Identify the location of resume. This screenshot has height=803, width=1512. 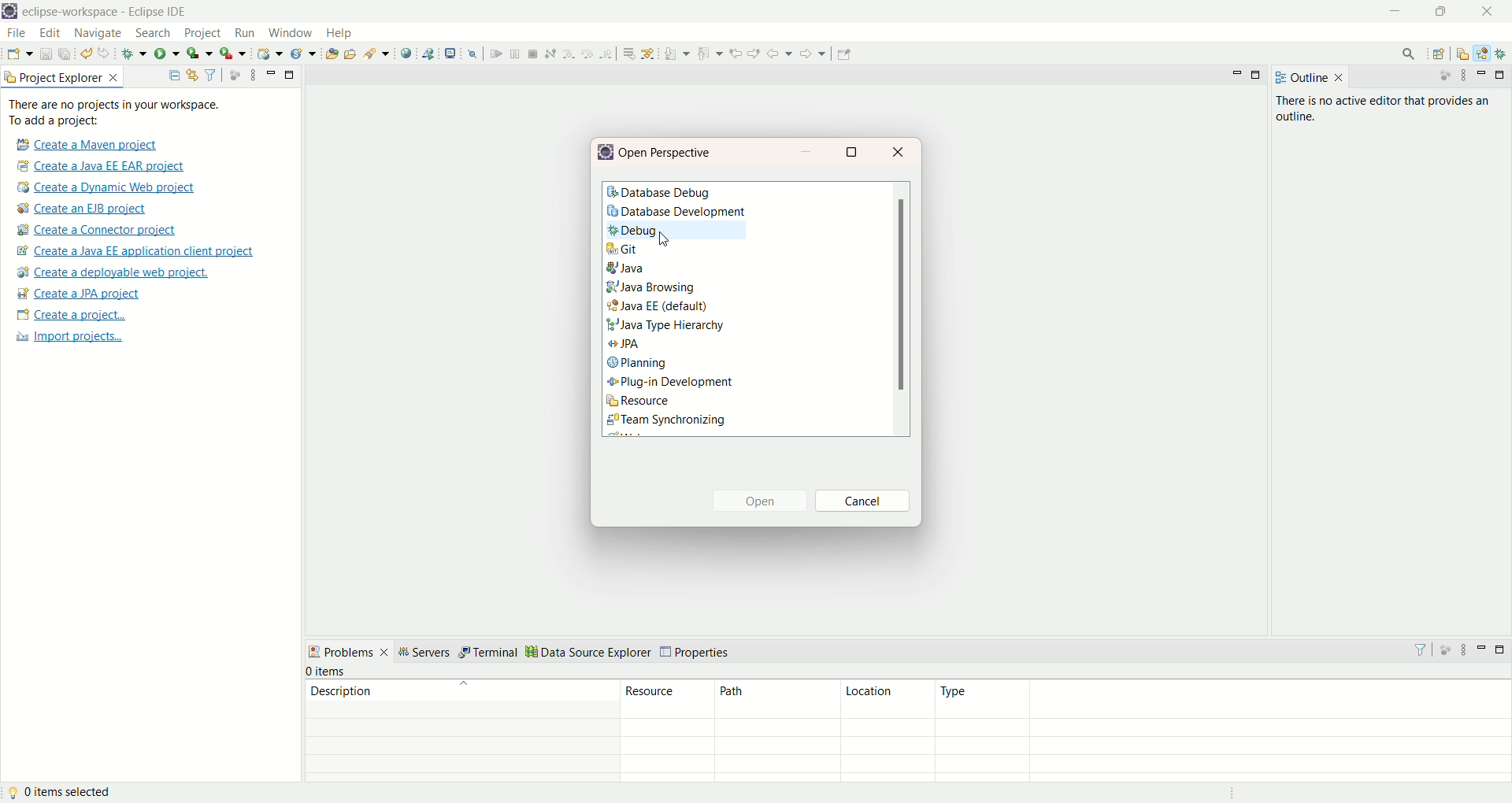
(495, 54).